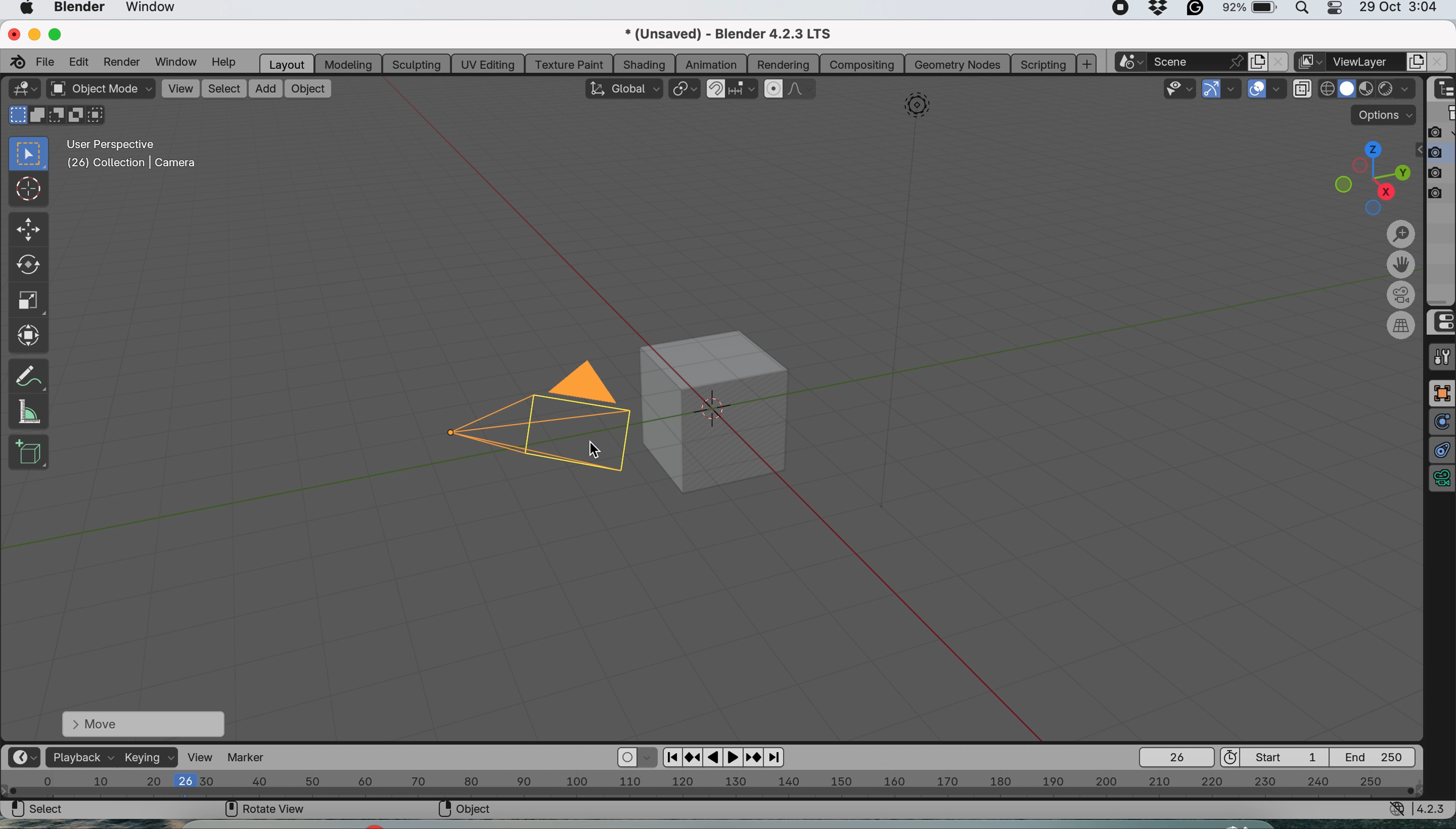 This screenshot has width=1456, height=829. What do you see at coordinates (1181, 88) in the screenshot?
I see `scalability and fallout` at bounding box center [1181, 88].